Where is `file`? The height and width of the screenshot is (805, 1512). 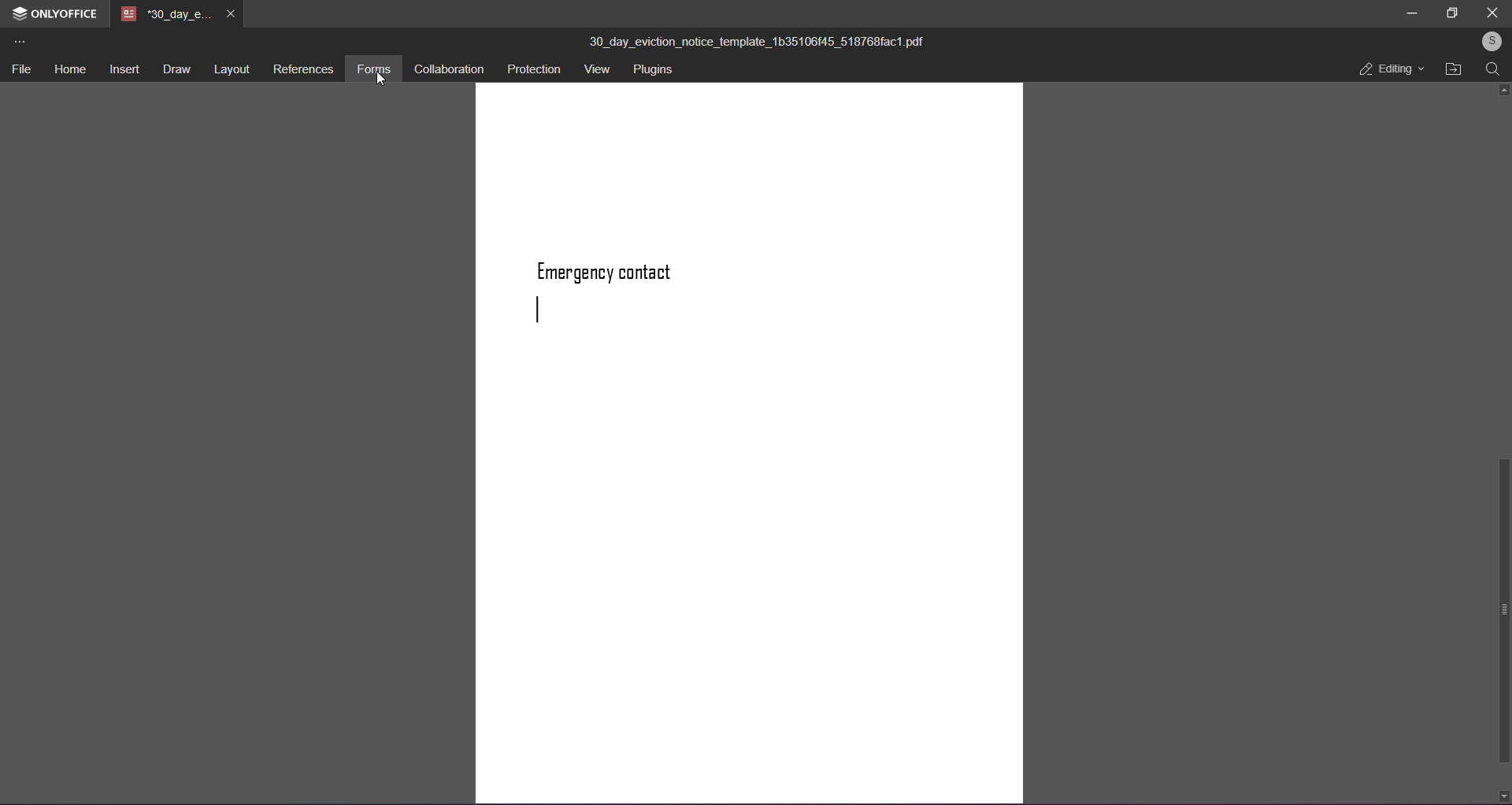 file is located at coordinates (21, 71).